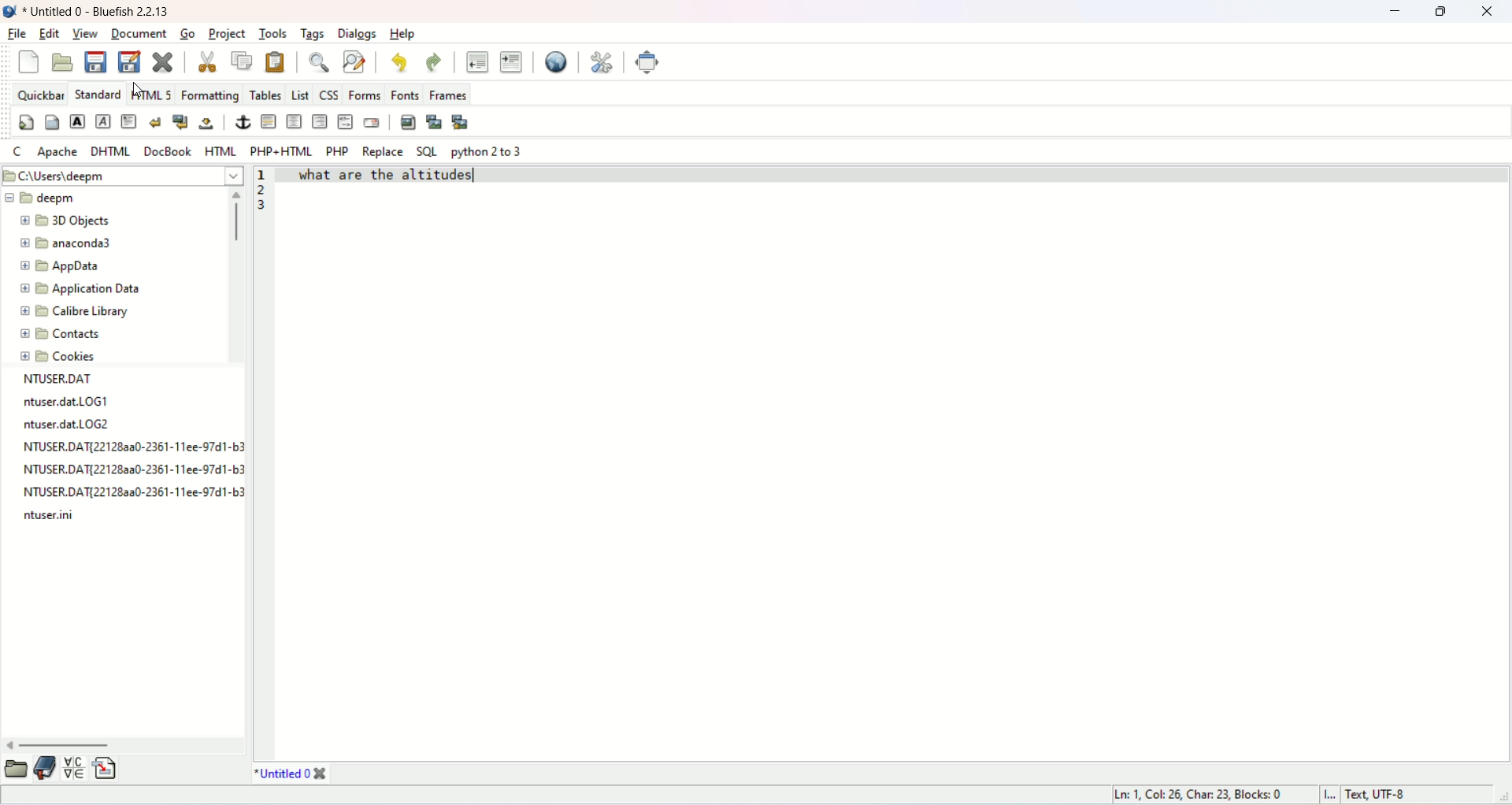 This screenshot has width=1512, height=805. I want to click on break, so click(154, 122).